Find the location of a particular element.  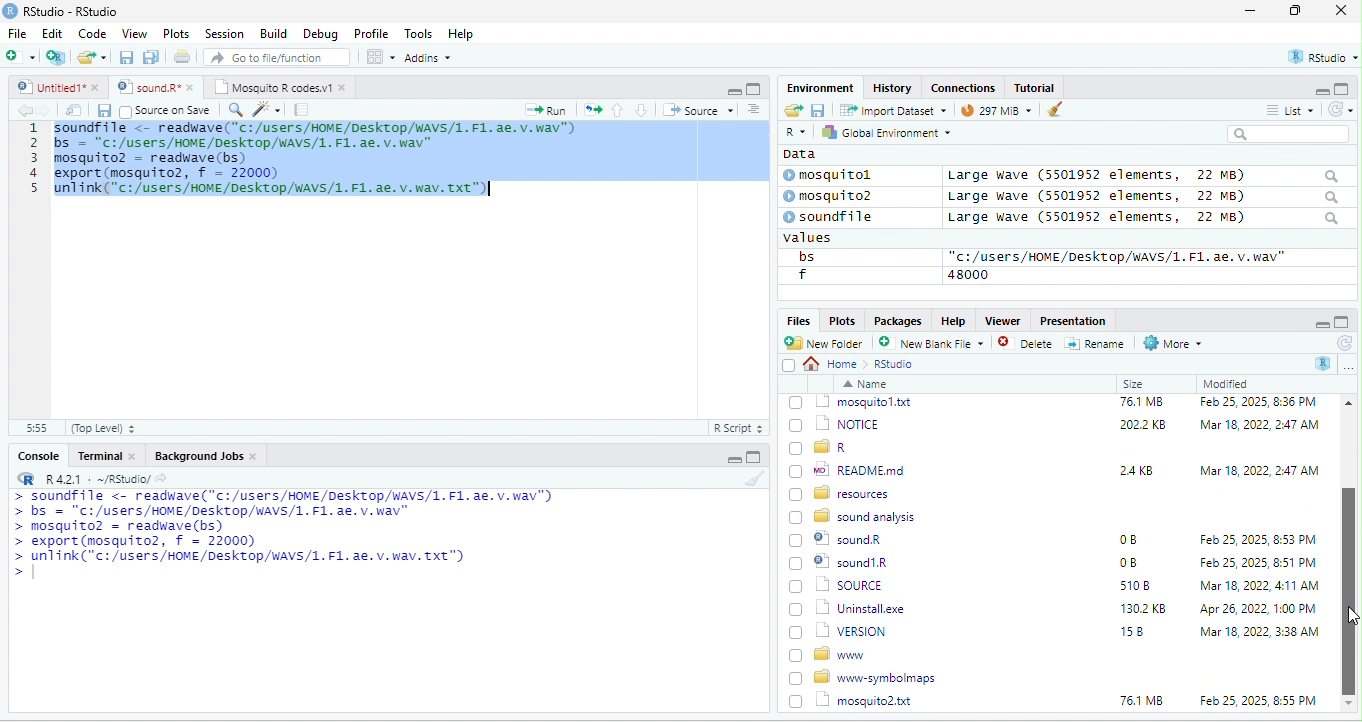

76.1 MB is located at coordinates (1141, 519).